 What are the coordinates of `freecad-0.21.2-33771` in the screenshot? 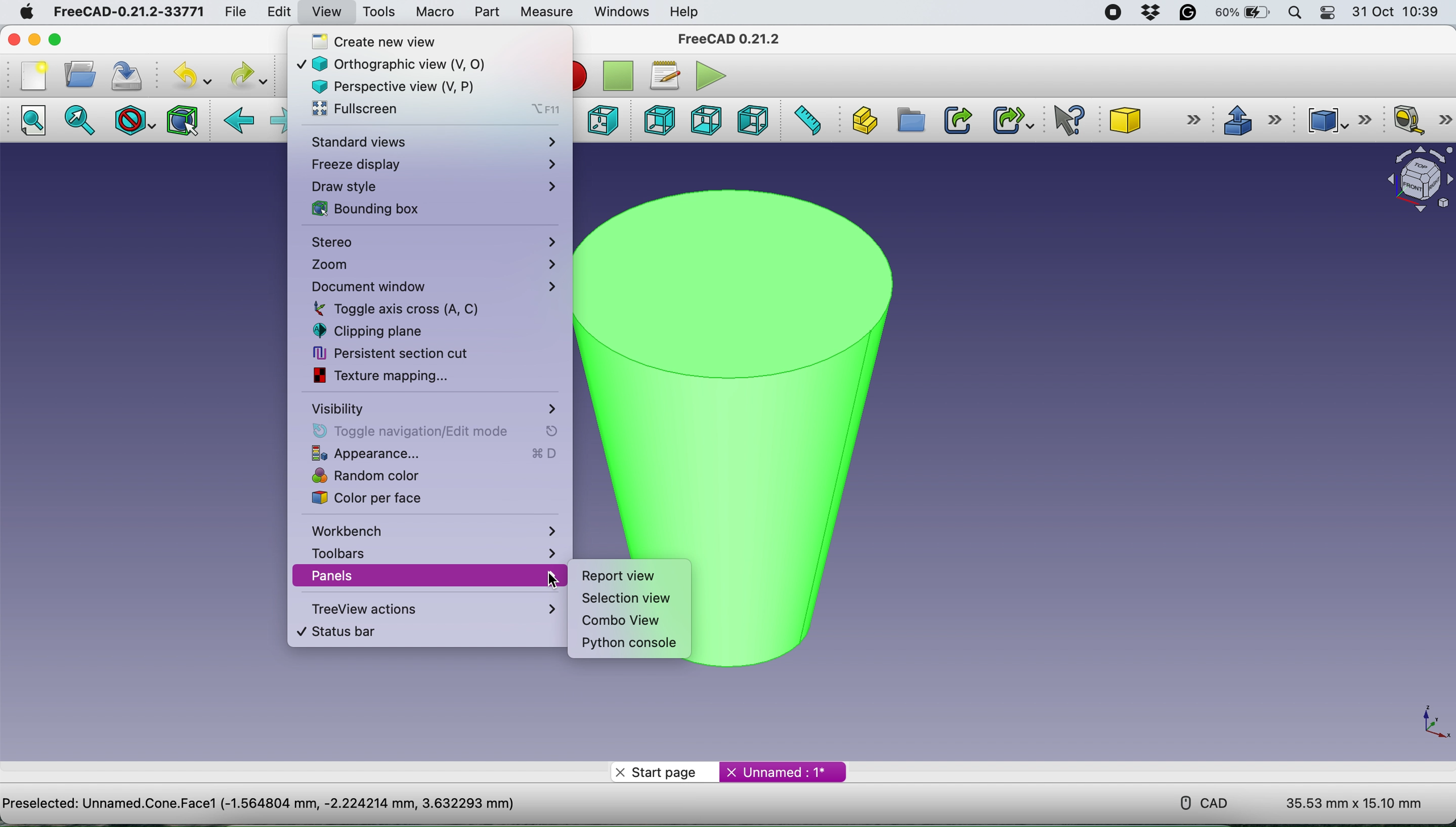 It's located at (130, 12).